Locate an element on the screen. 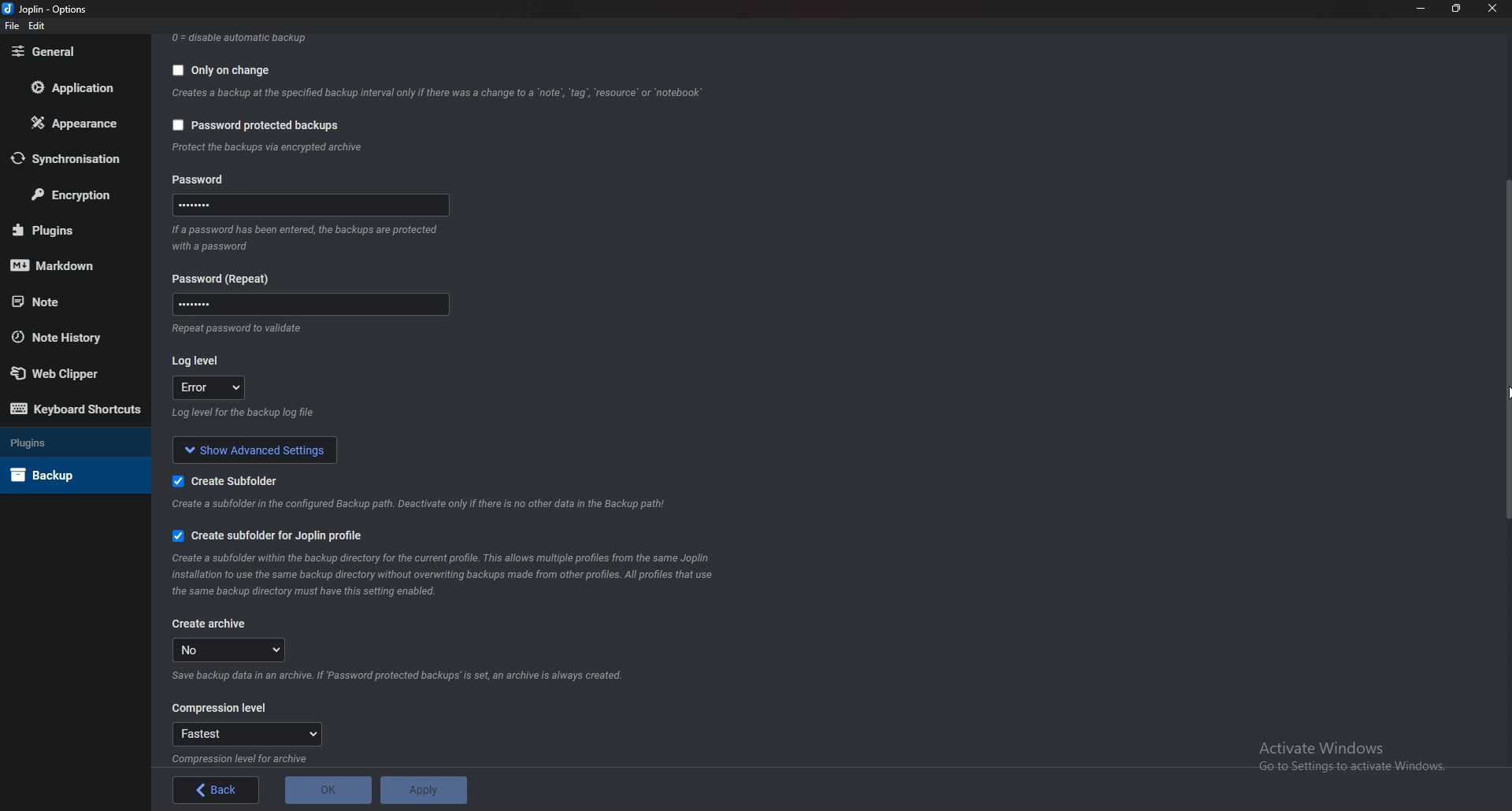 This screenshot has width=1512, height=811. create archive is located at coordinates (210, 625).